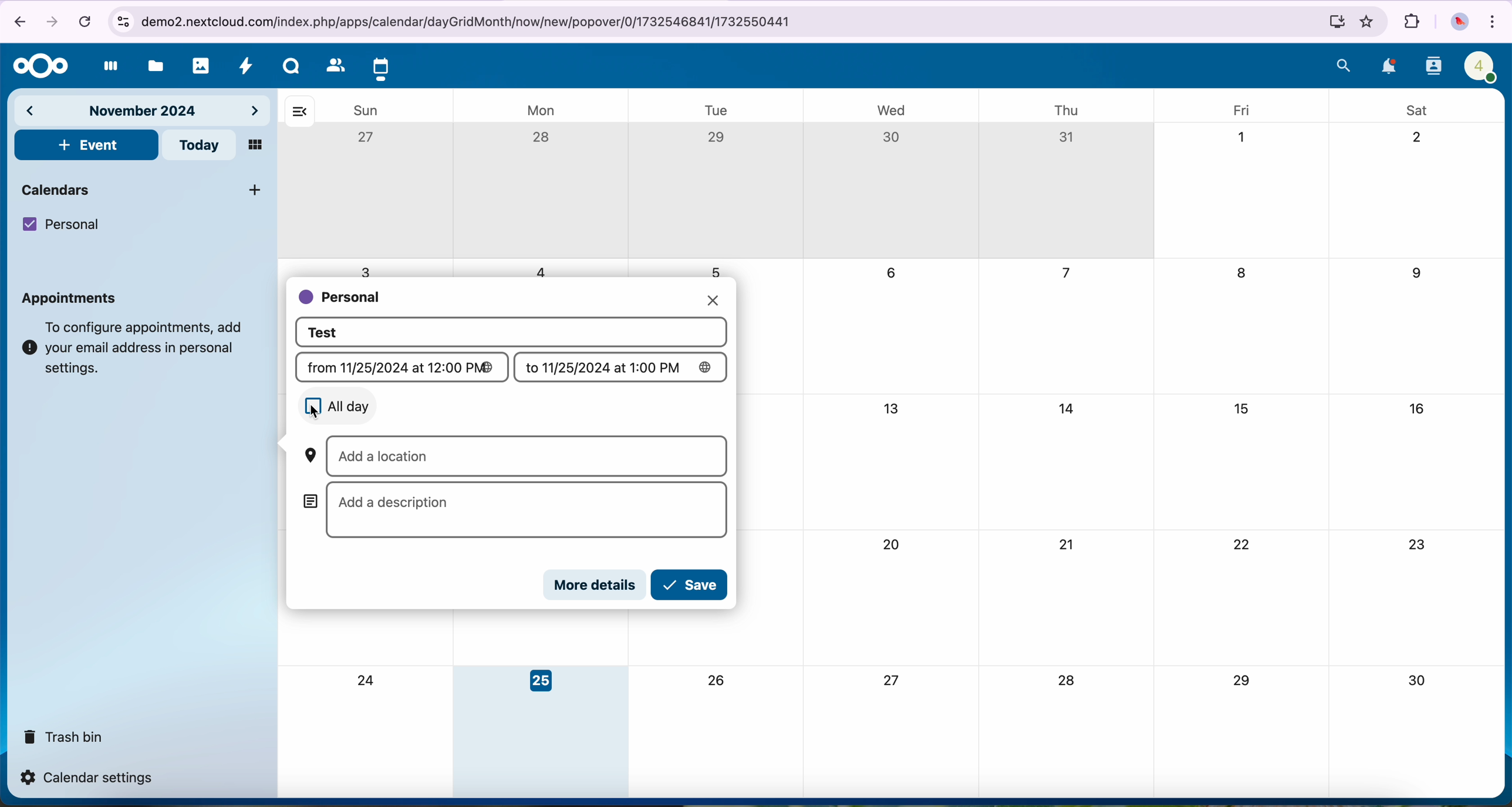 The height and width of the screenshot is (807, 1512). Describe the element at coordinates (516, 511) in the screenshot. I see `add a description` at that location.